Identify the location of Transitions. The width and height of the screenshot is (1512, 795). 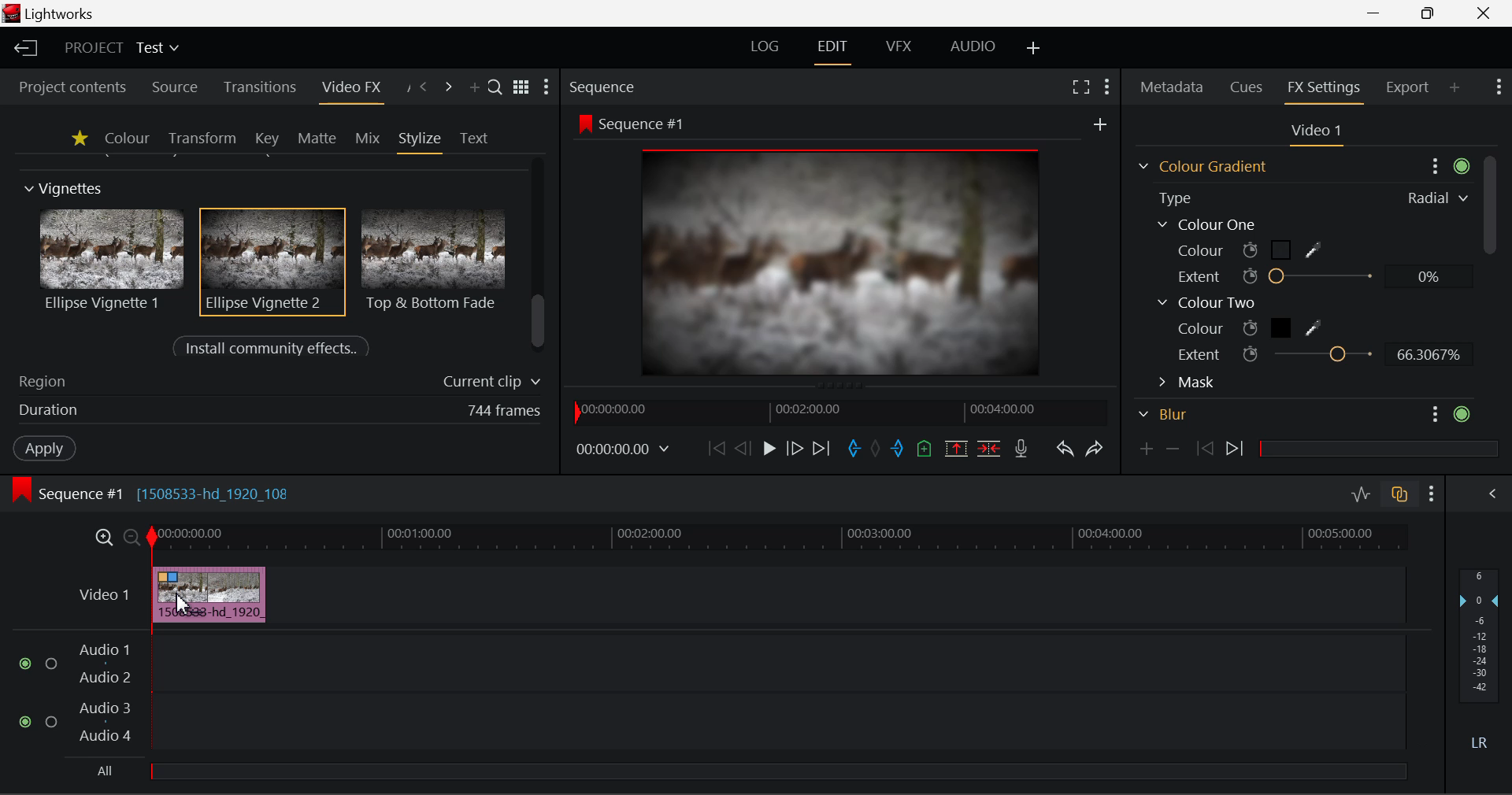
(258, 88).